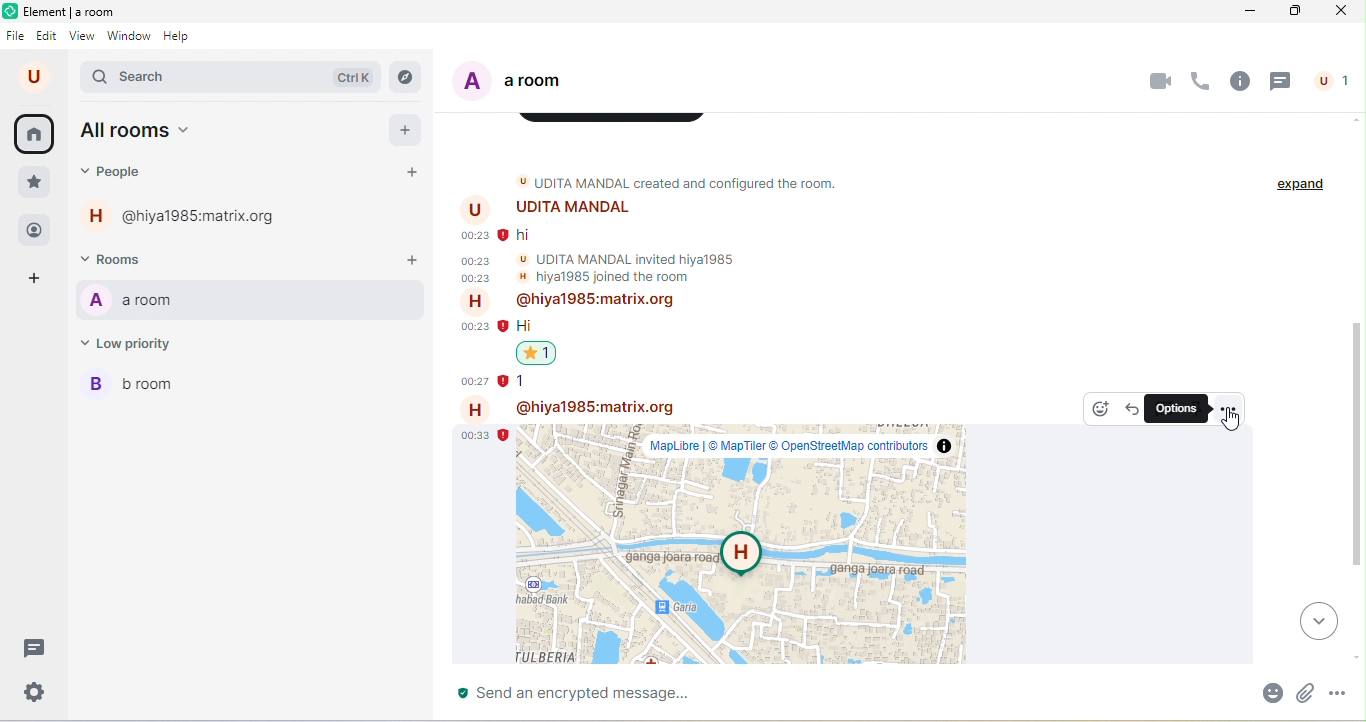  I want to click on people, so click(125, 173).